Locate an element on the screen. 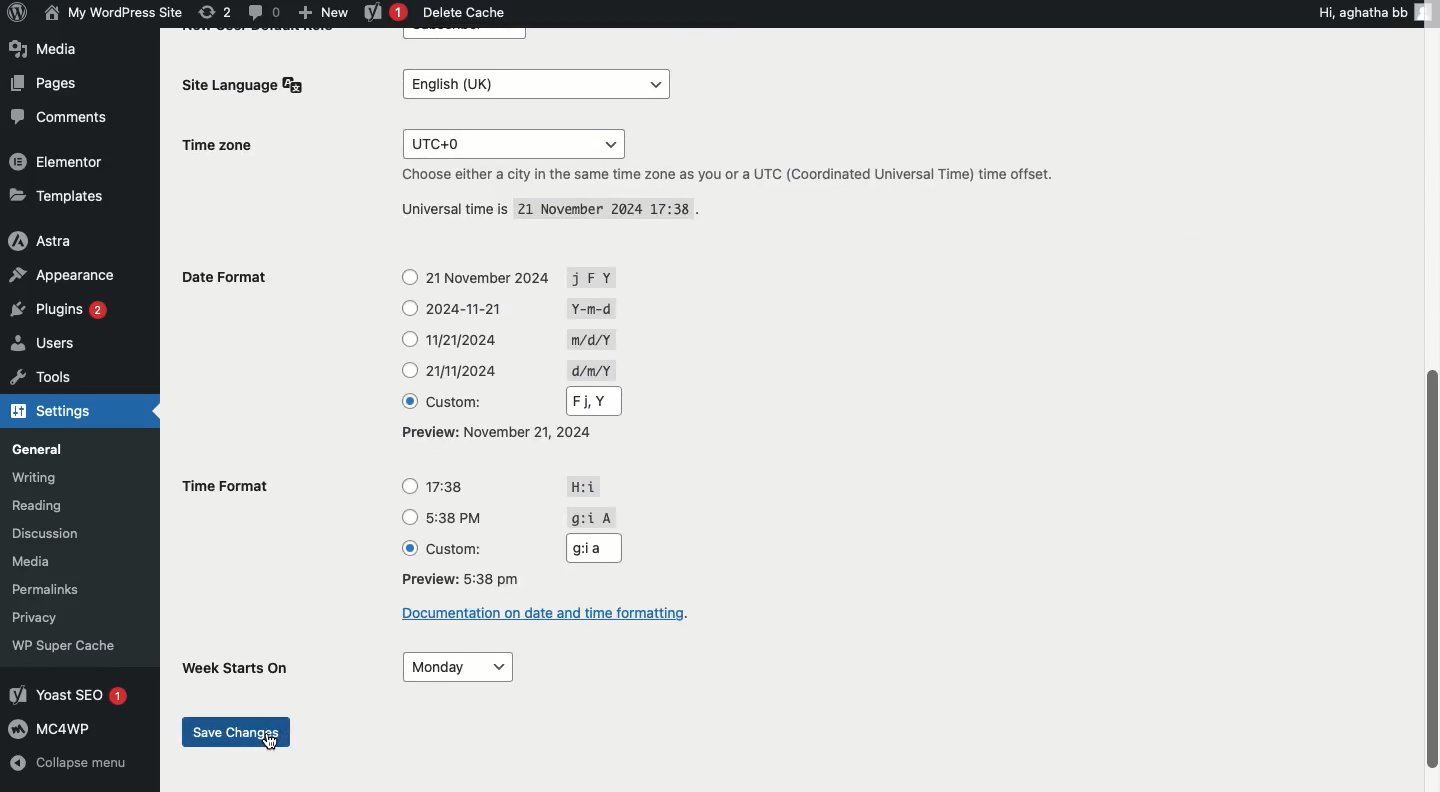  21 November 2024 j FY is located at coordinates (496, 273).